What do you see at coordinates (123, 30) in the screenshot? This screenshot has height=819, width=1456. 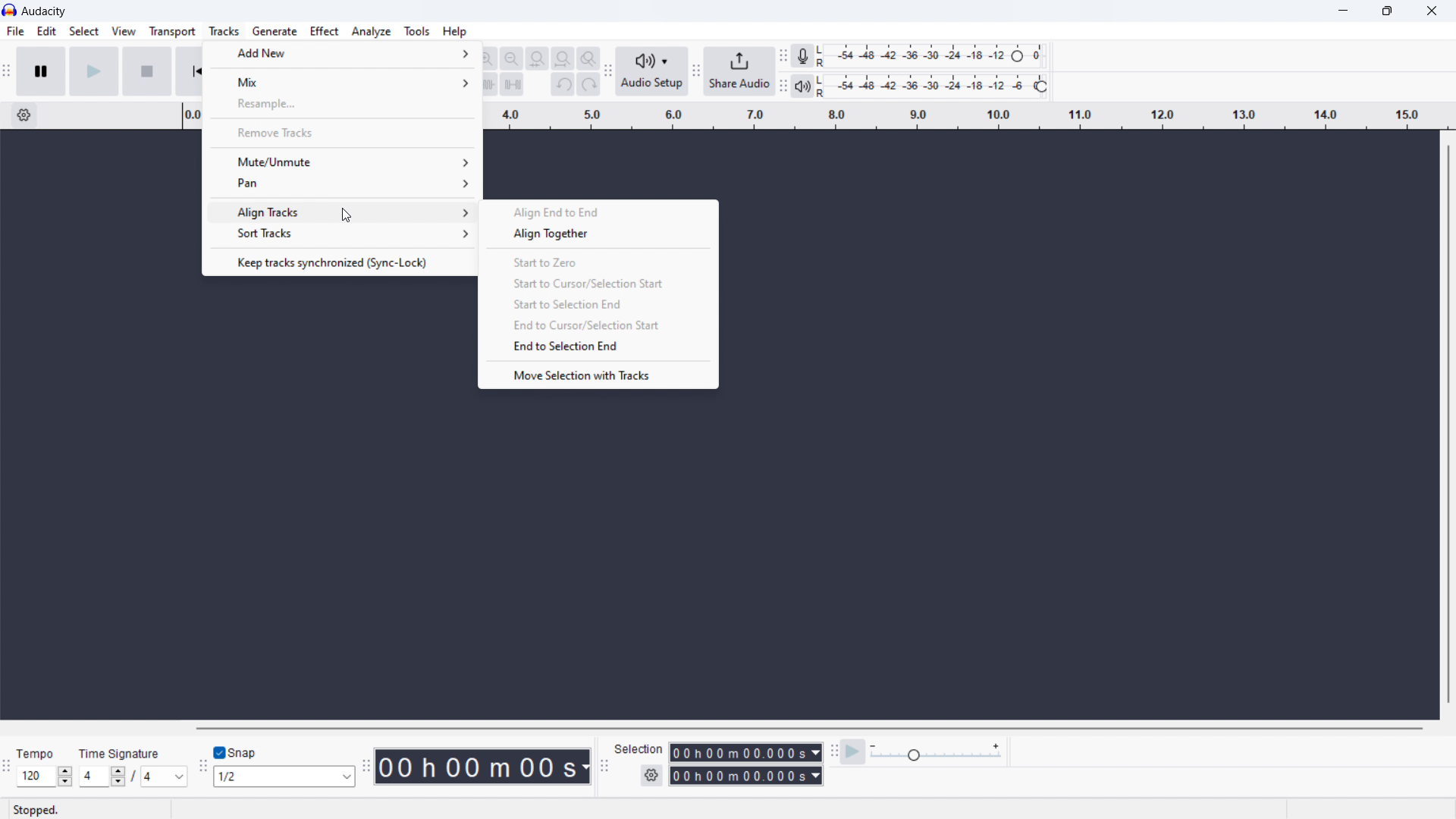 I see `view` at bounding box center [123, 30].